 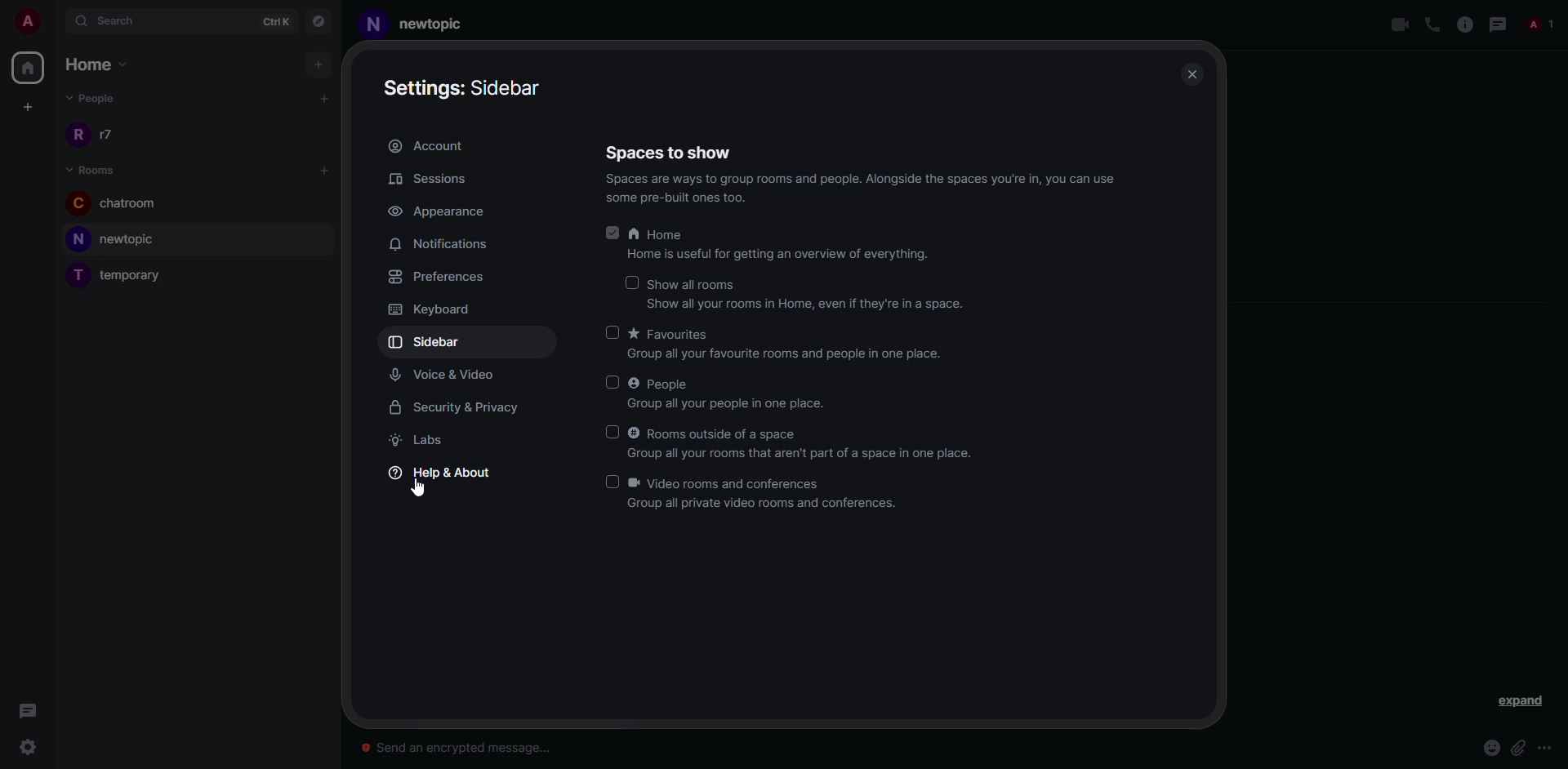 What do you see at coordinates (661, 383) in the screenshot?
I see `people` at bounding box center [661, 383].